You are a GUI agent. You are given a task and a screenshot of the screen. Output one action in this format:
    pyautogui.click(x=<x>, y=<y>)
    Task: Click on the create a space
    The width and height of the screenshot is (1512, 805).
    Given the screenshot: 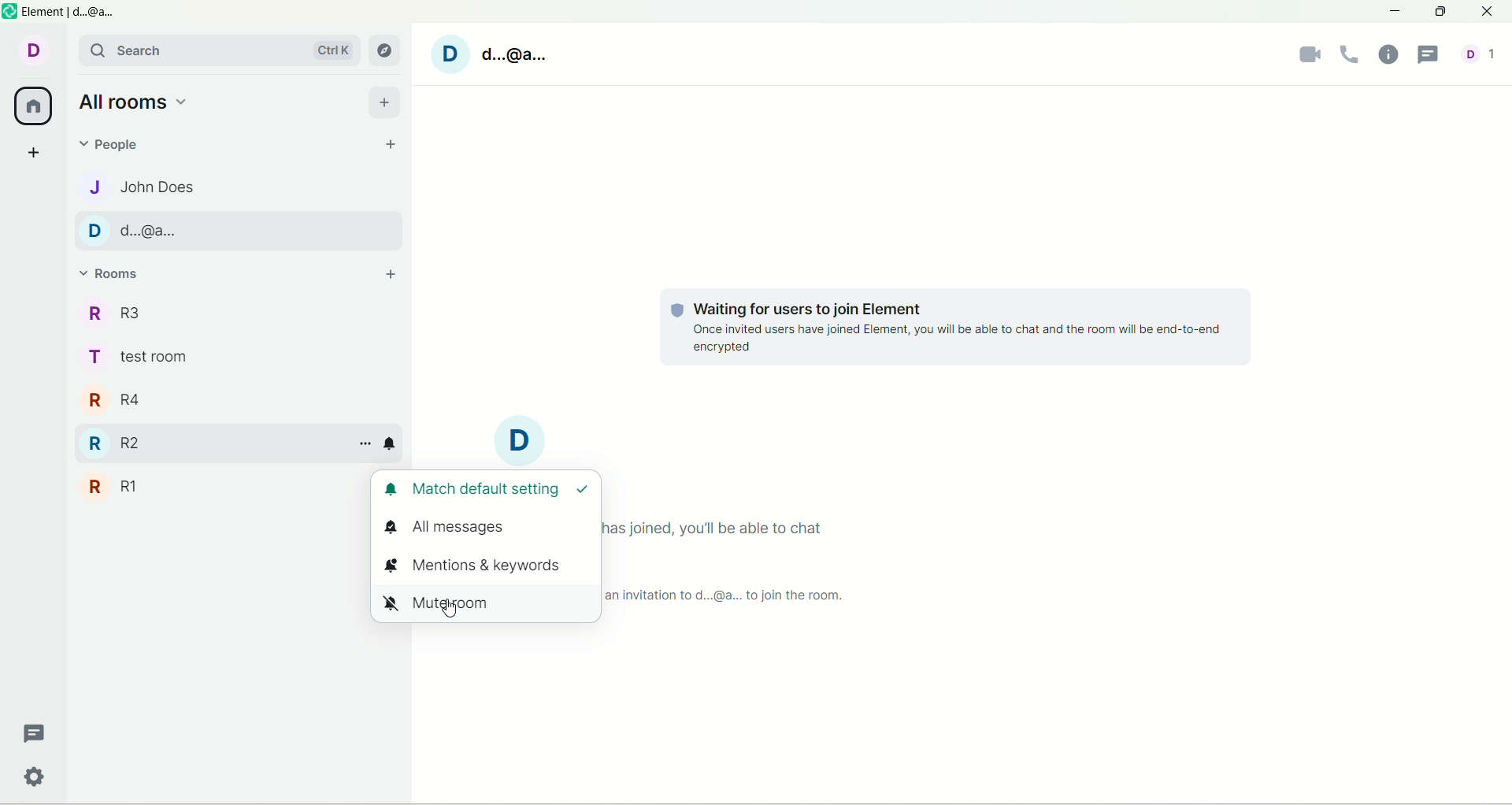 What is the action you would take?
    pyautogui.click(x=35, y=152)
    